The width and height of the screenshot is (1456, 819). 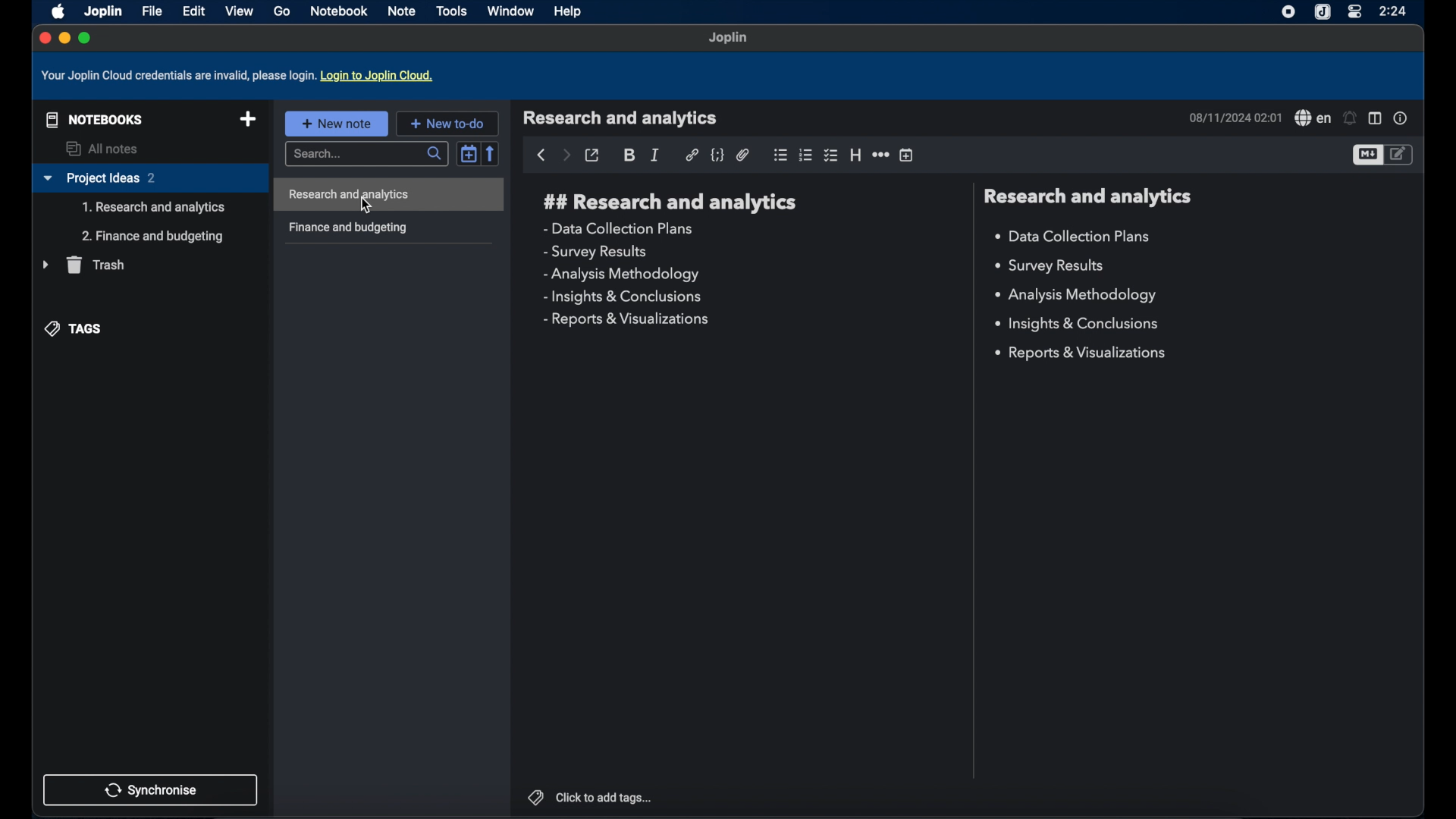 What do you see at coordinates (620, 275) in the screenshot?
I see `analysis methodology` at bounding box center [620, 275].